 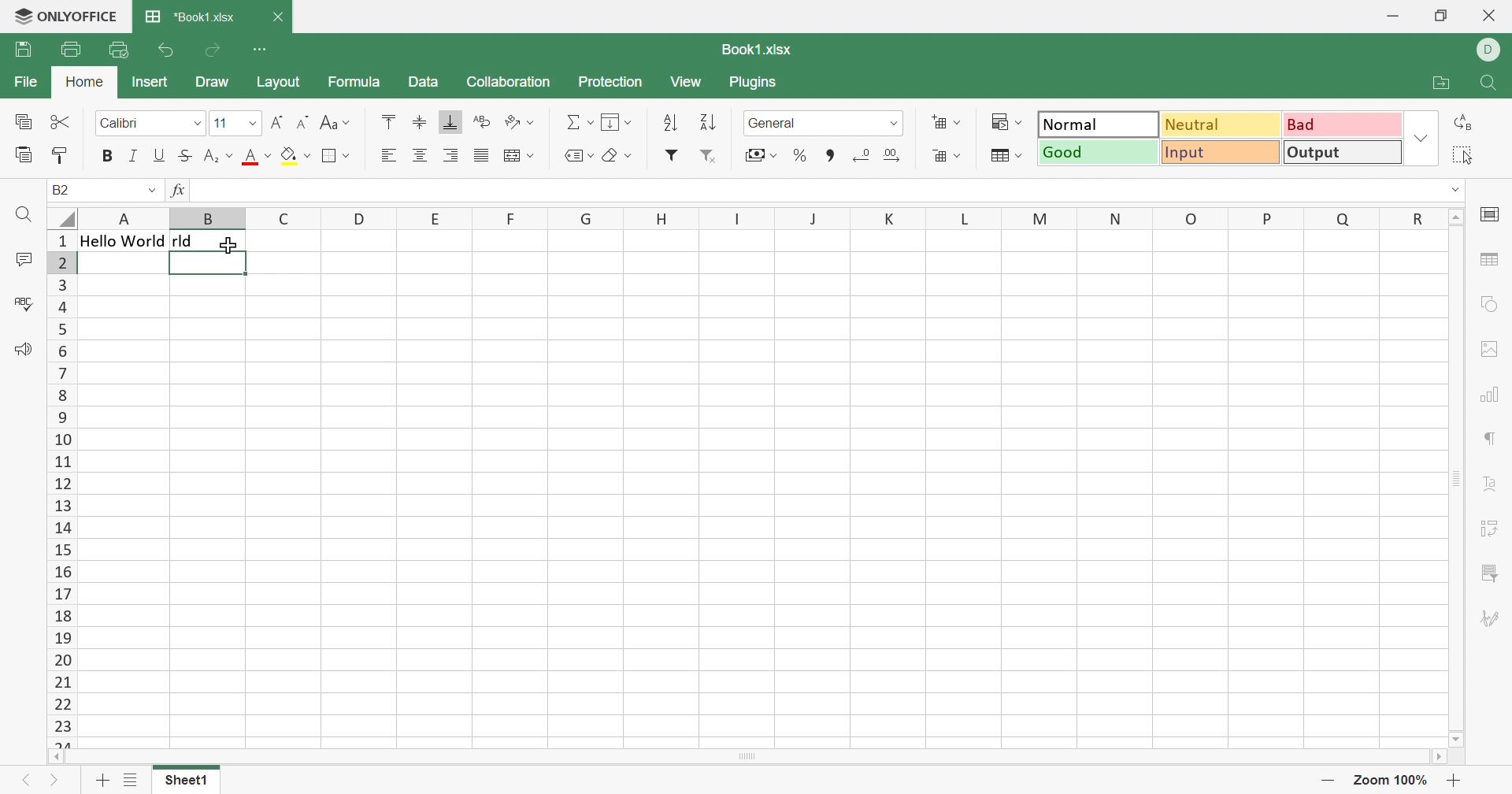 What do you see at coordinates (21, 350) in the screenshot?
I see `Feedback & Support` at bounding box center [21, 350].